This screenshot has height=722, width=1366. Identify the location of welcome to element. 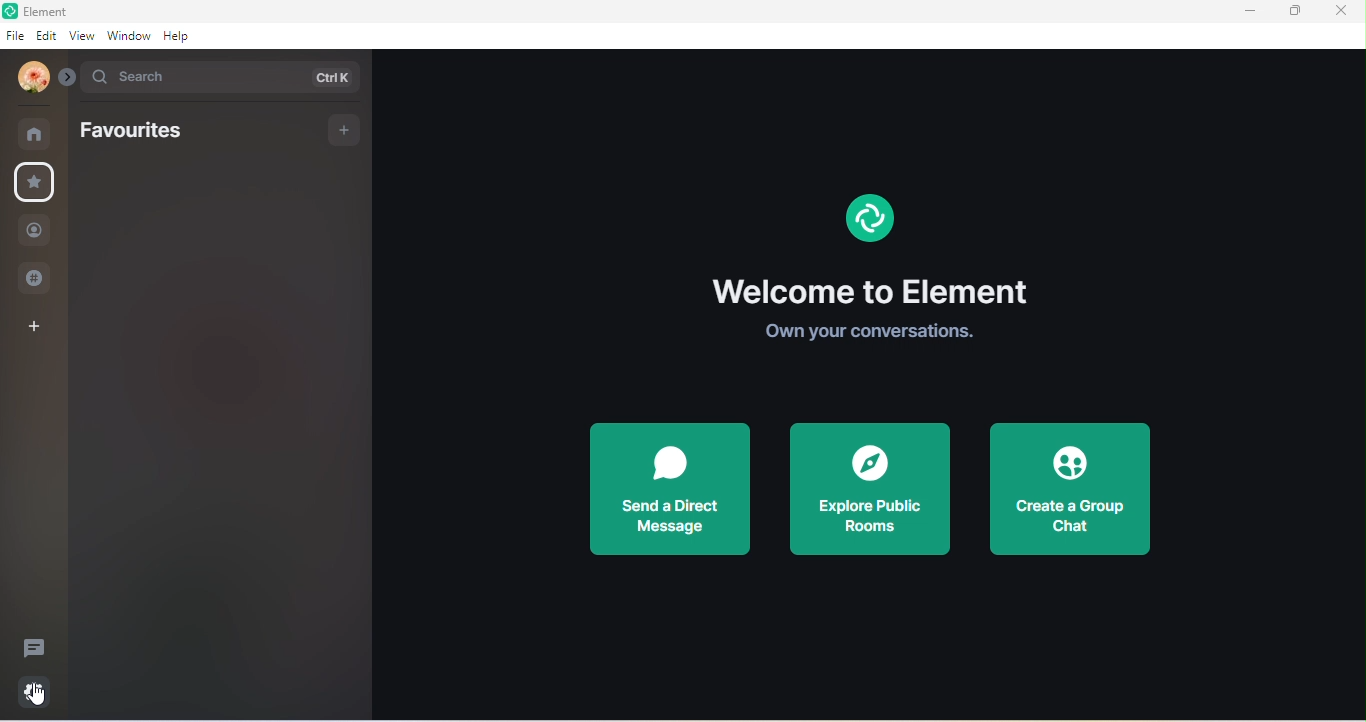
(873, 289).